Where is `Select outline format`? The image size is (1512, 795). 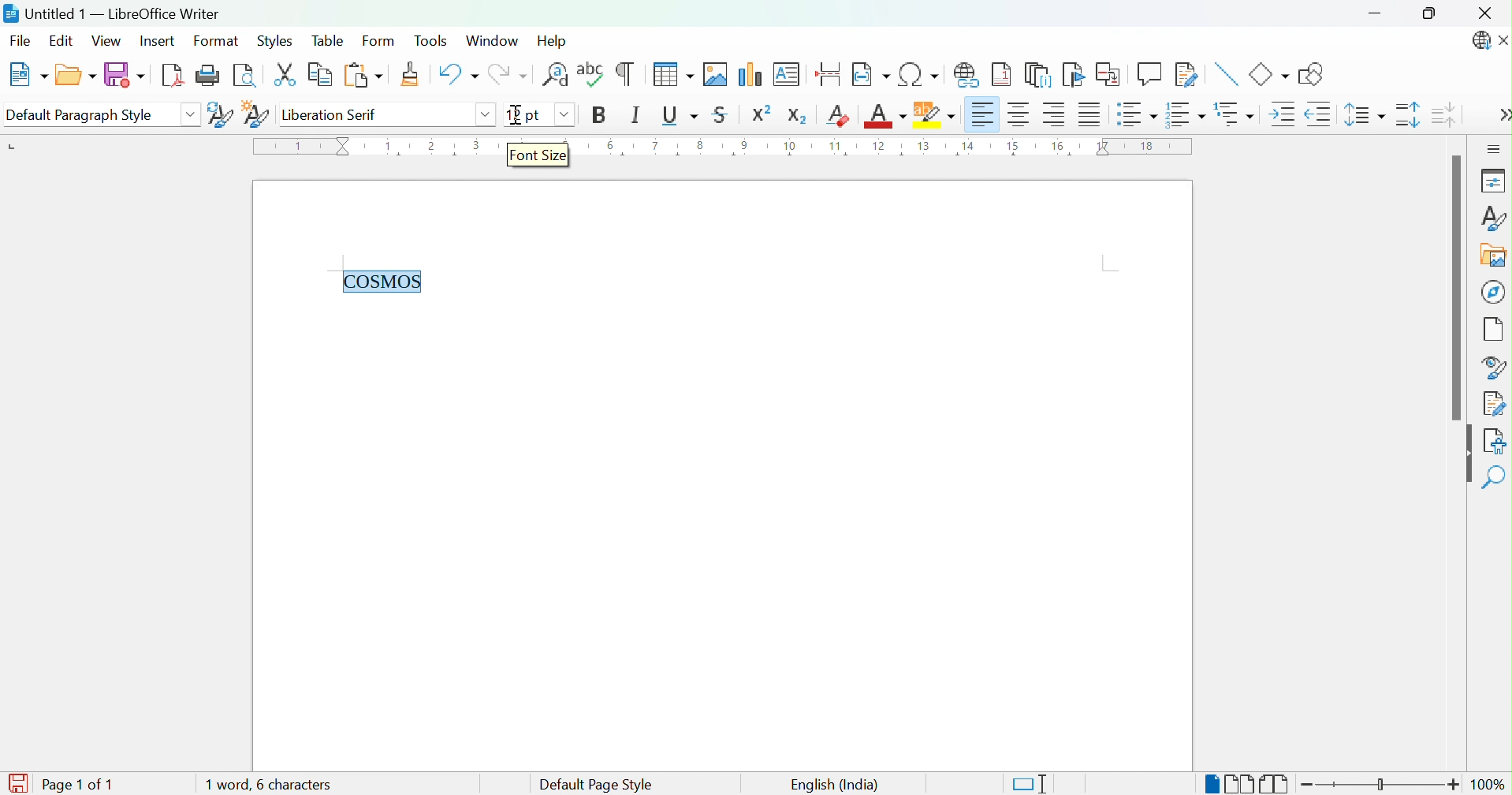
Select outline format is located at coordinates (1236, 115).